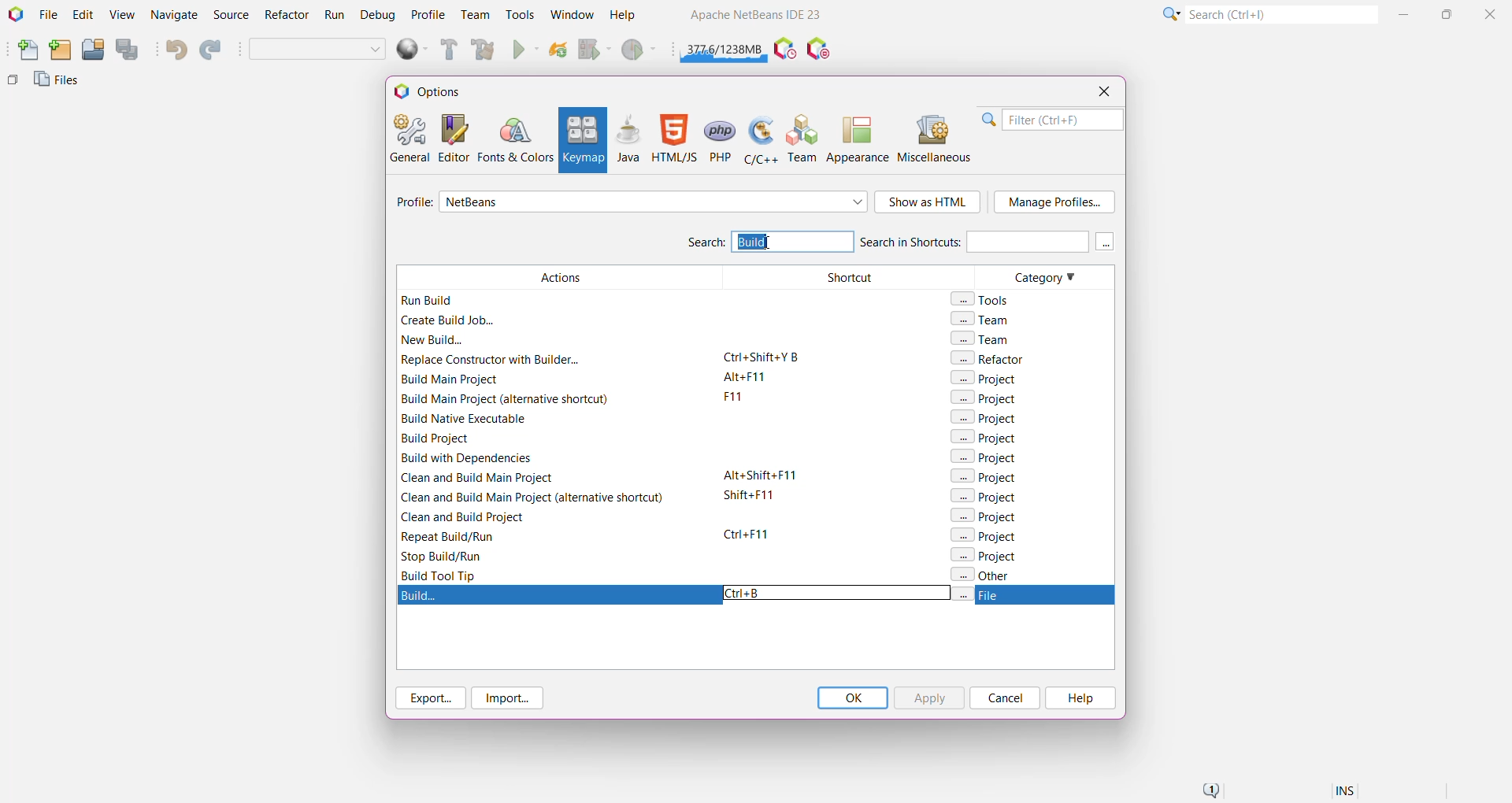 The height and width of the screenshot is (803, 1512). What do you see at coordinates (1030, 424) in the screenshot?
I see `Category` at bounding box center [1030, 424].